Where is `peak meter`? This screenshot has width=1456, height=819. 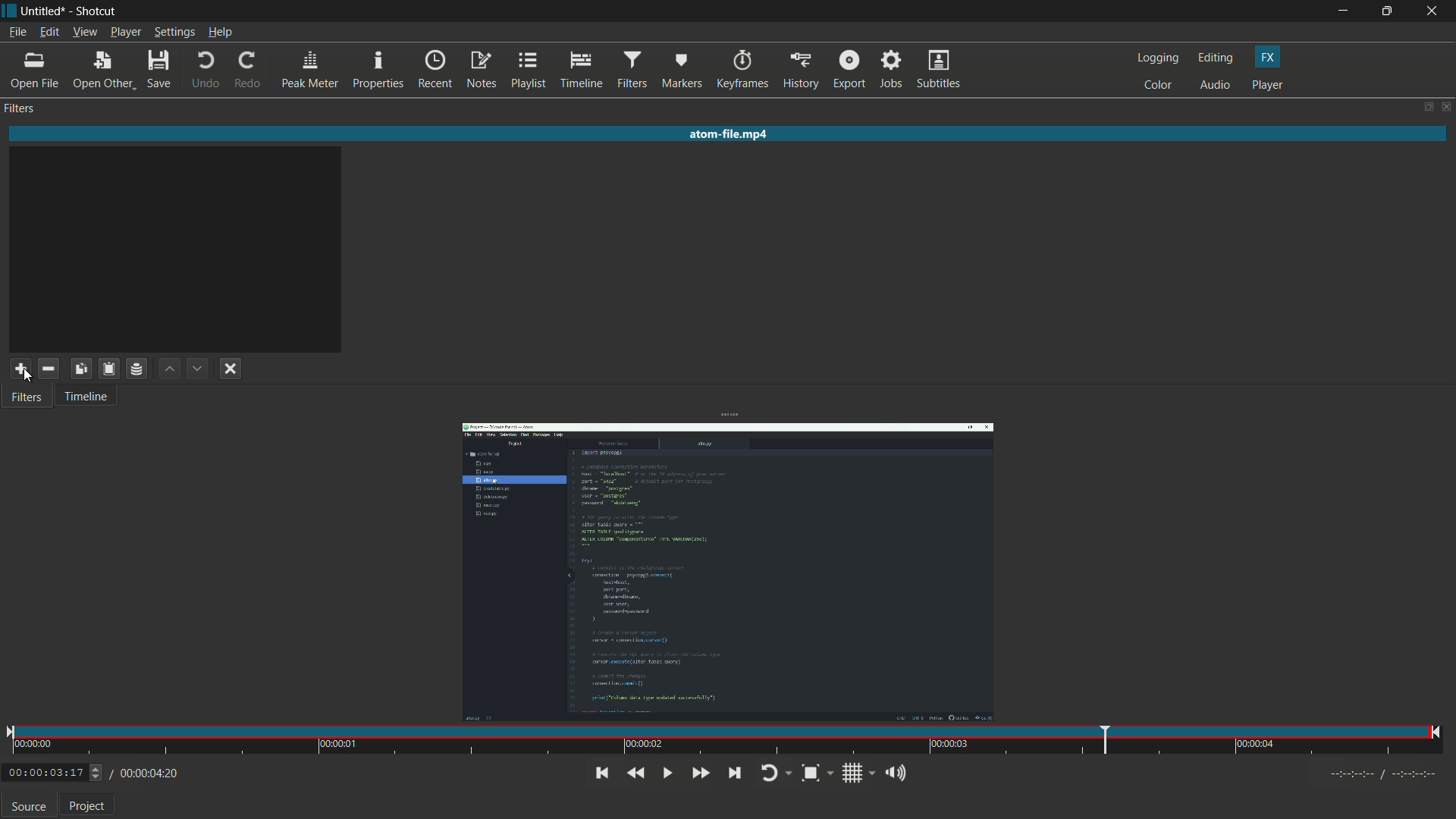
peak meter is located at coordinates (311, 71).